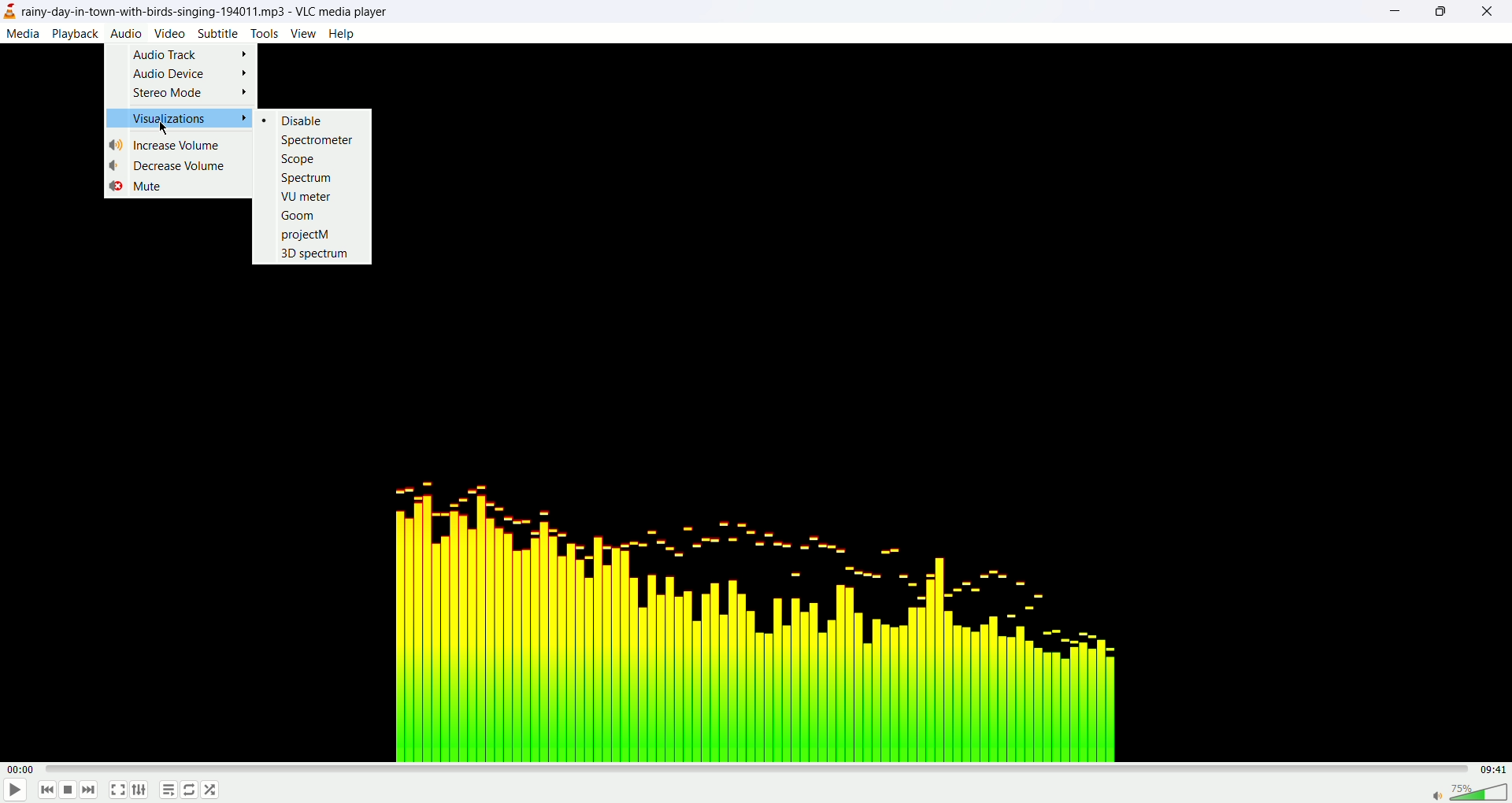  Describe the element at coordinates (309, 195) in the screenshot. I see `VU meter` at that location.